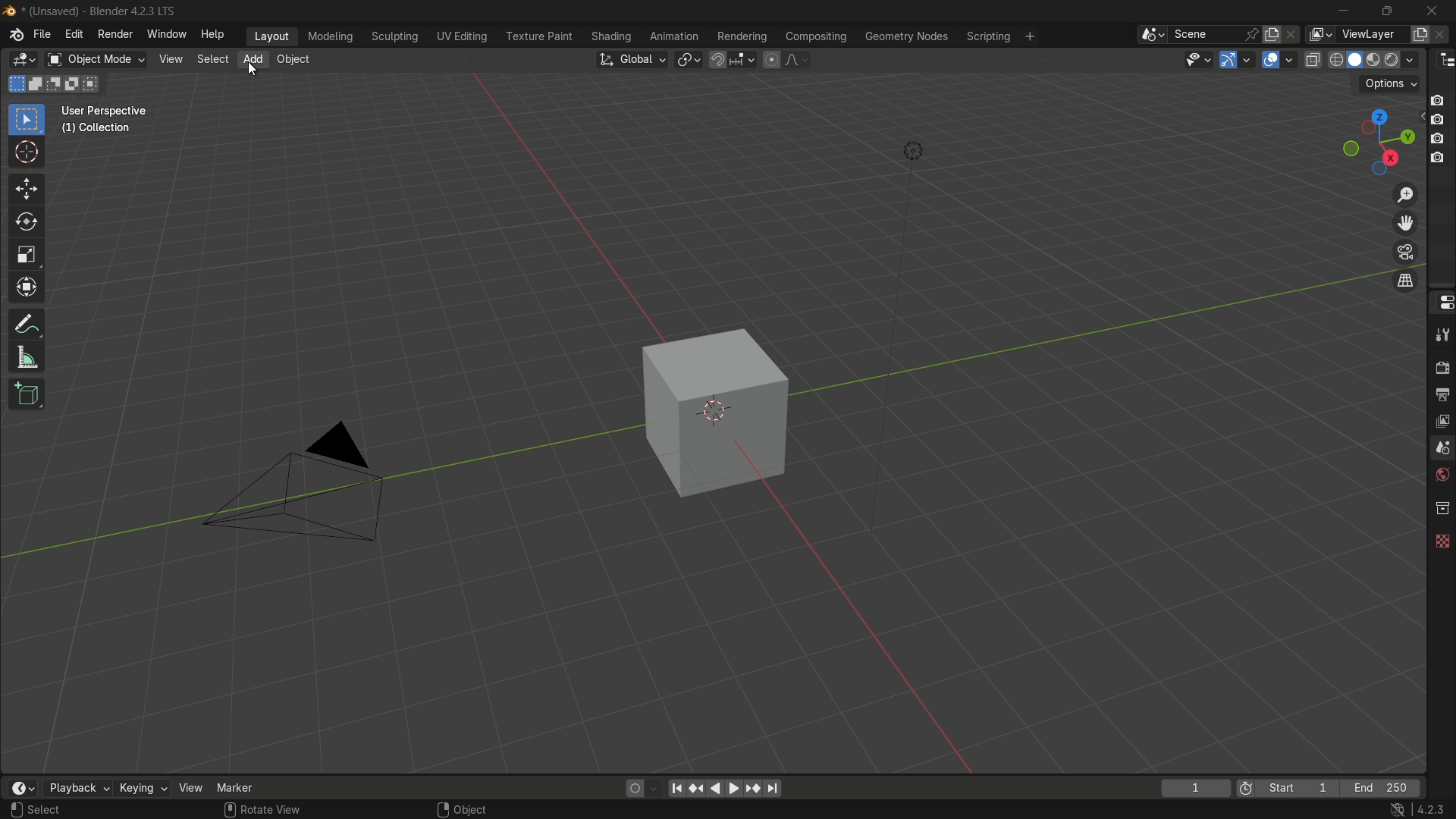 The image size is (1456, 819). What do you see at coordinates (262, 811) in the screenshot?
I see `rotate view` at bounding box center [262, 811].